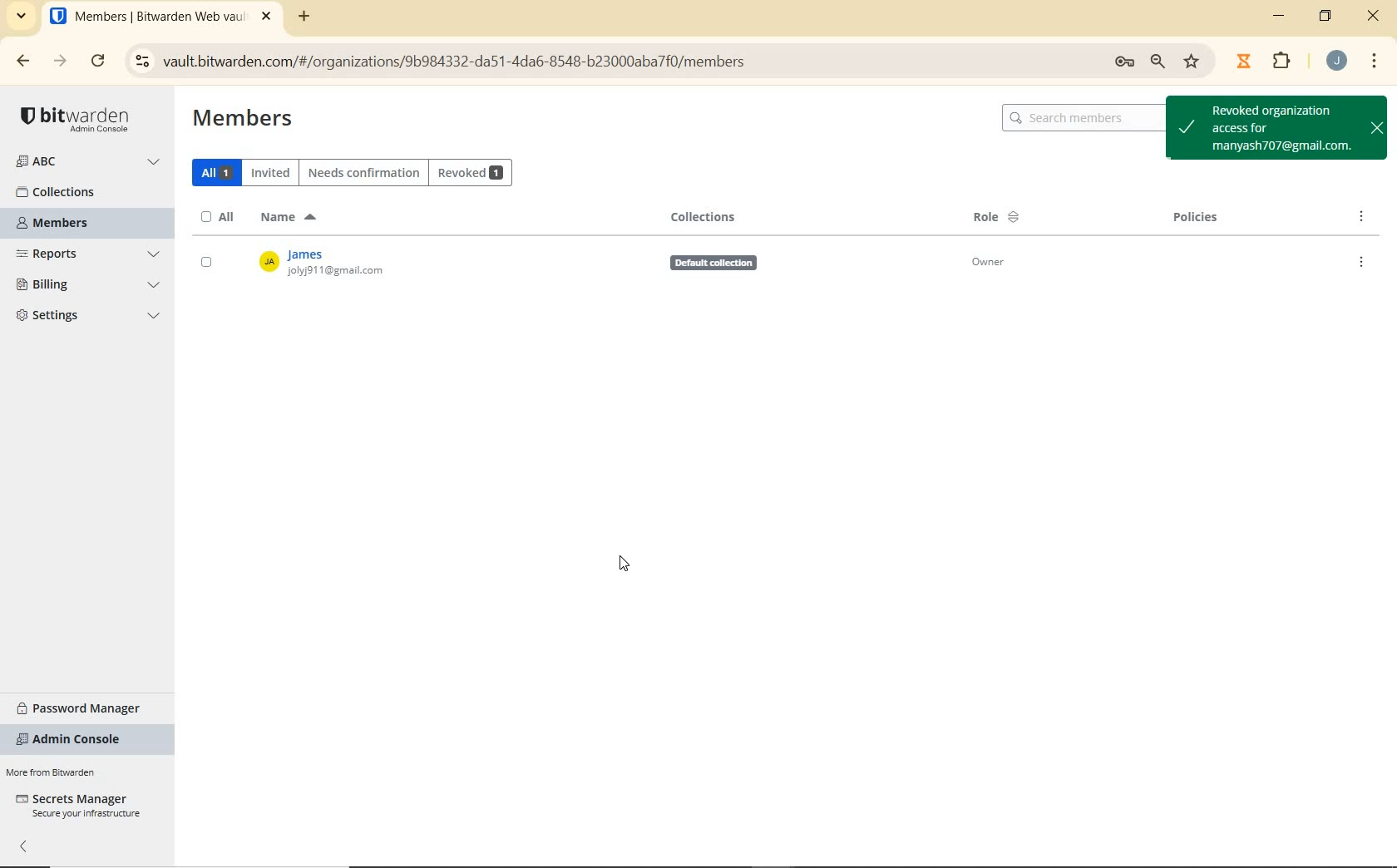 The height and width of the screenshot is (868, 1397). Describe the element at coordinates (90, 162) in the screenshot. I see `ORGANIZATION NAME` at that location.